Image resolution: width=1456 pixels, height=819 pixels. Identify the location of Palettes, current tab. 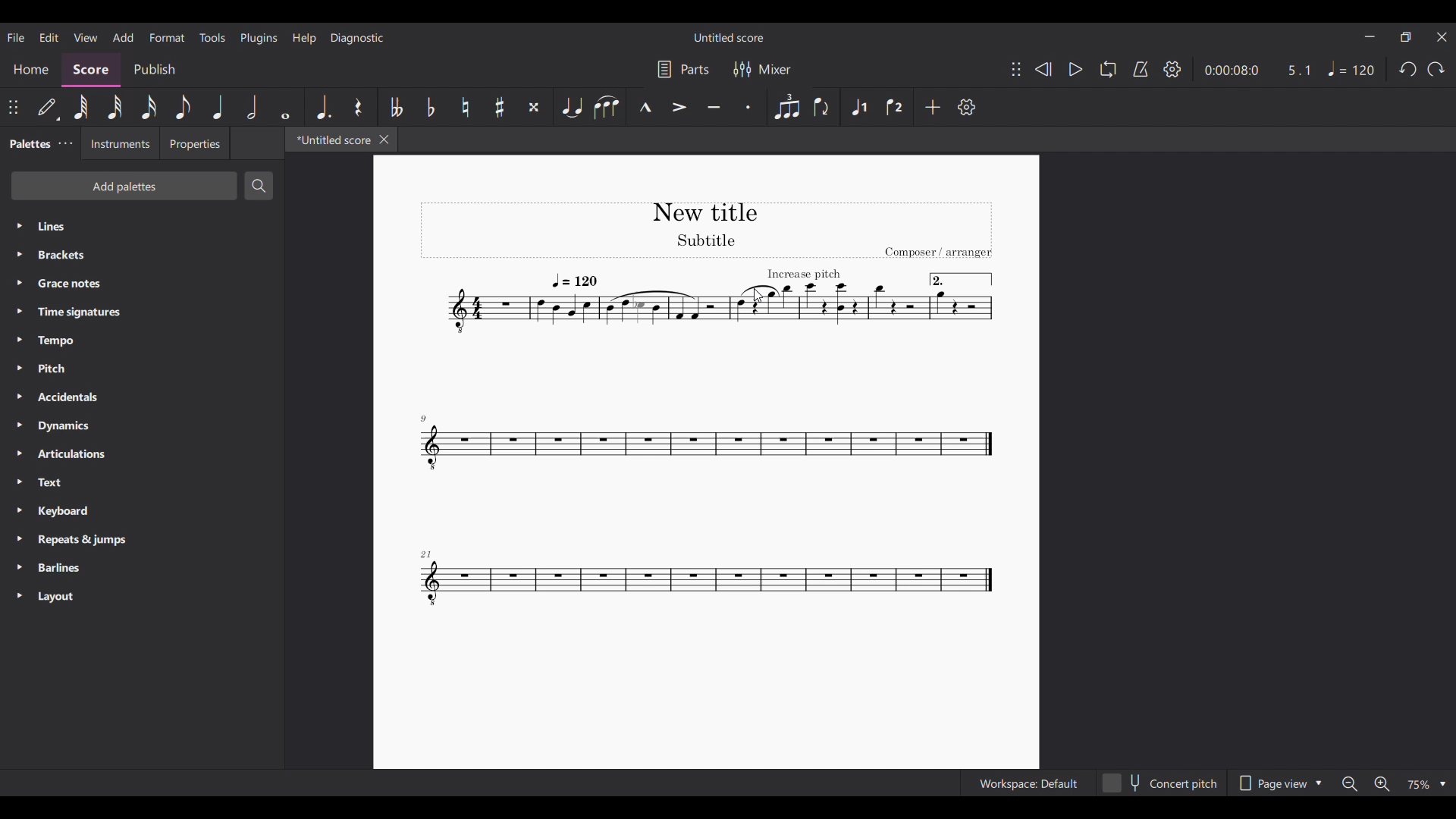
(28, 144).